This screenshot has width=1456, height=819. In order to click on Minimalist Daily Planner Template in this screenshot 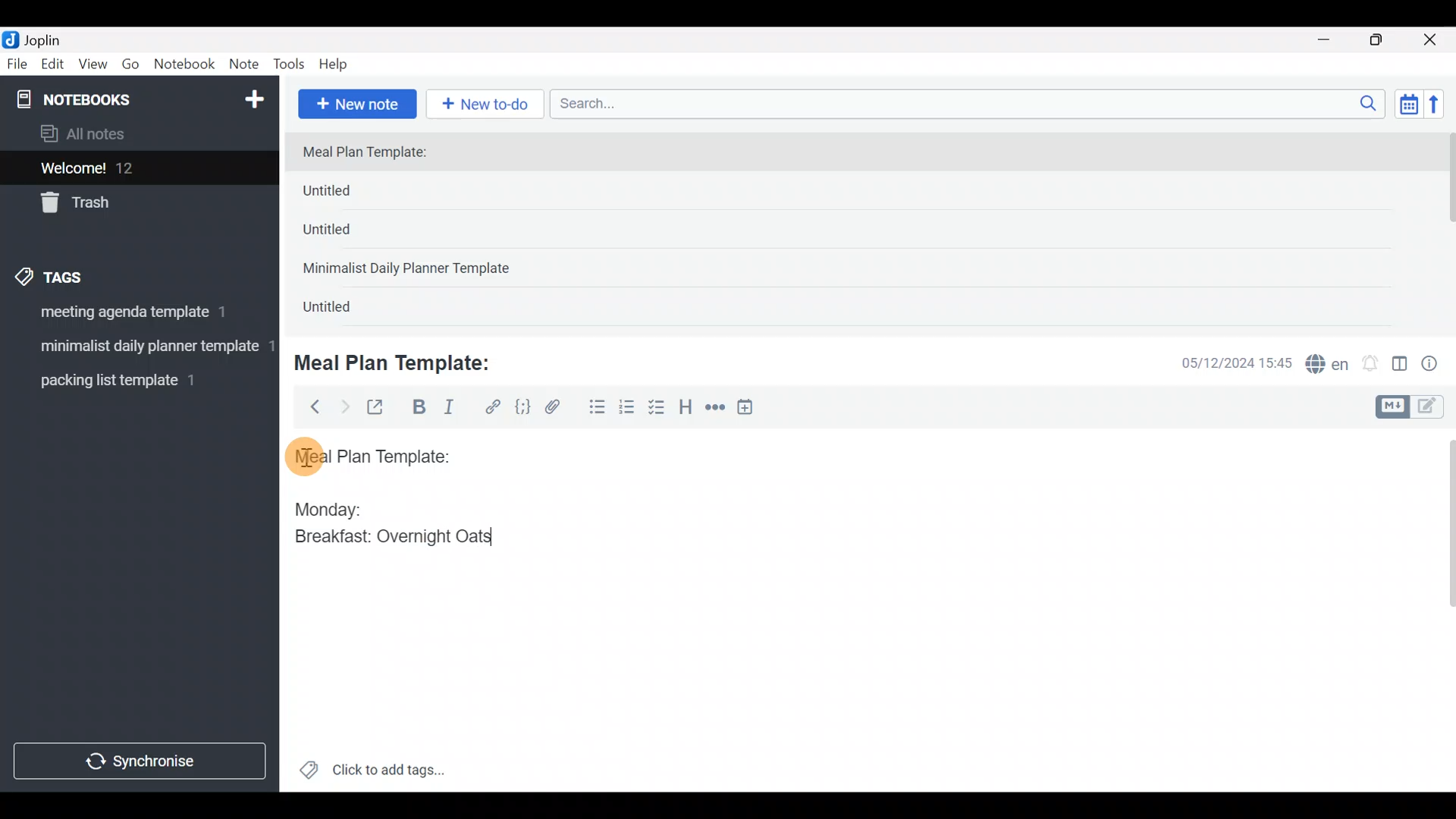, I will do `click(411, 270)`.